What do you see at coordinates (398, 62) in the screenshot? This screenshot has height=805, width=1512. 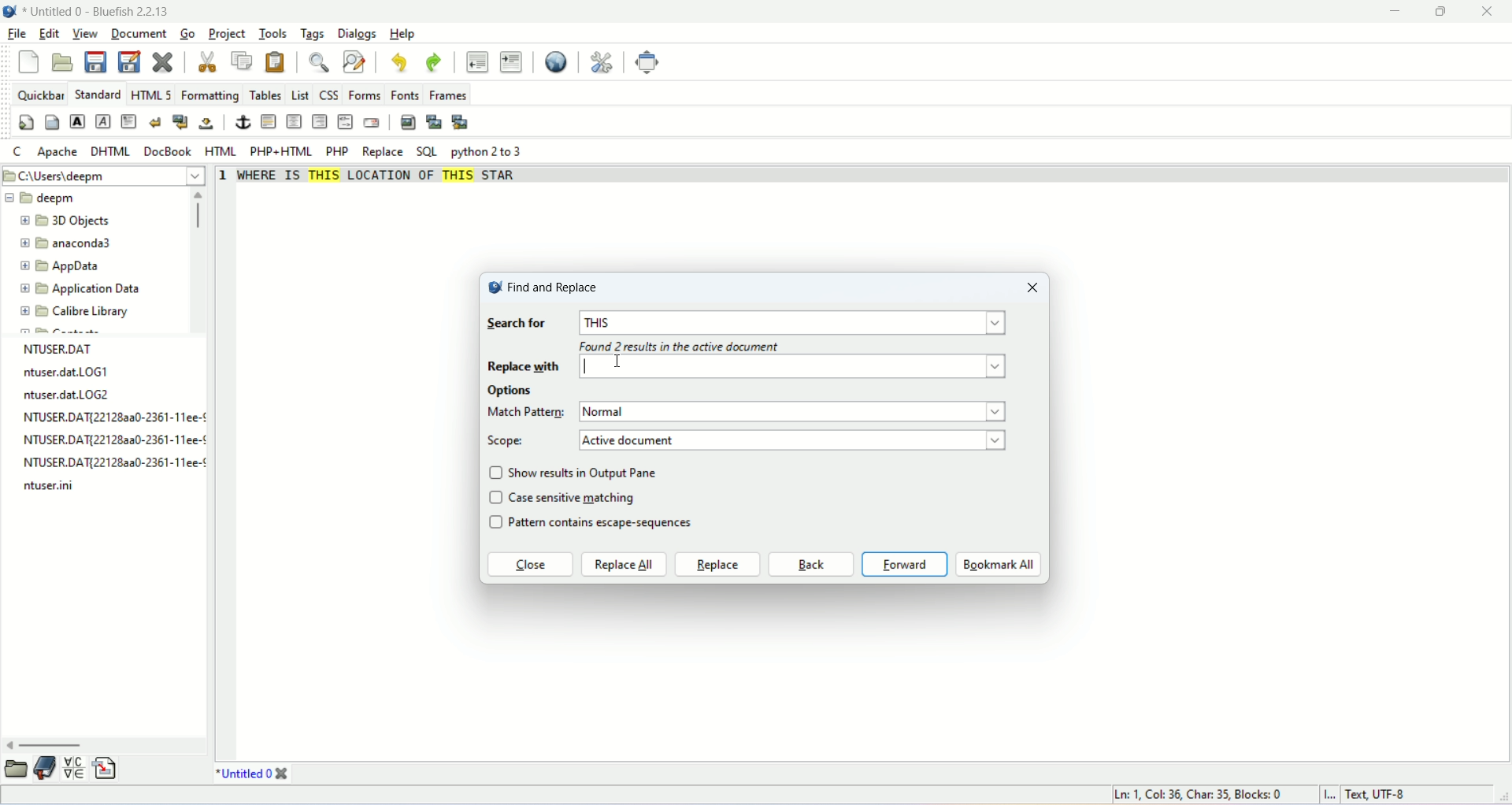 I see `undo` at bounding box center [398, 62].